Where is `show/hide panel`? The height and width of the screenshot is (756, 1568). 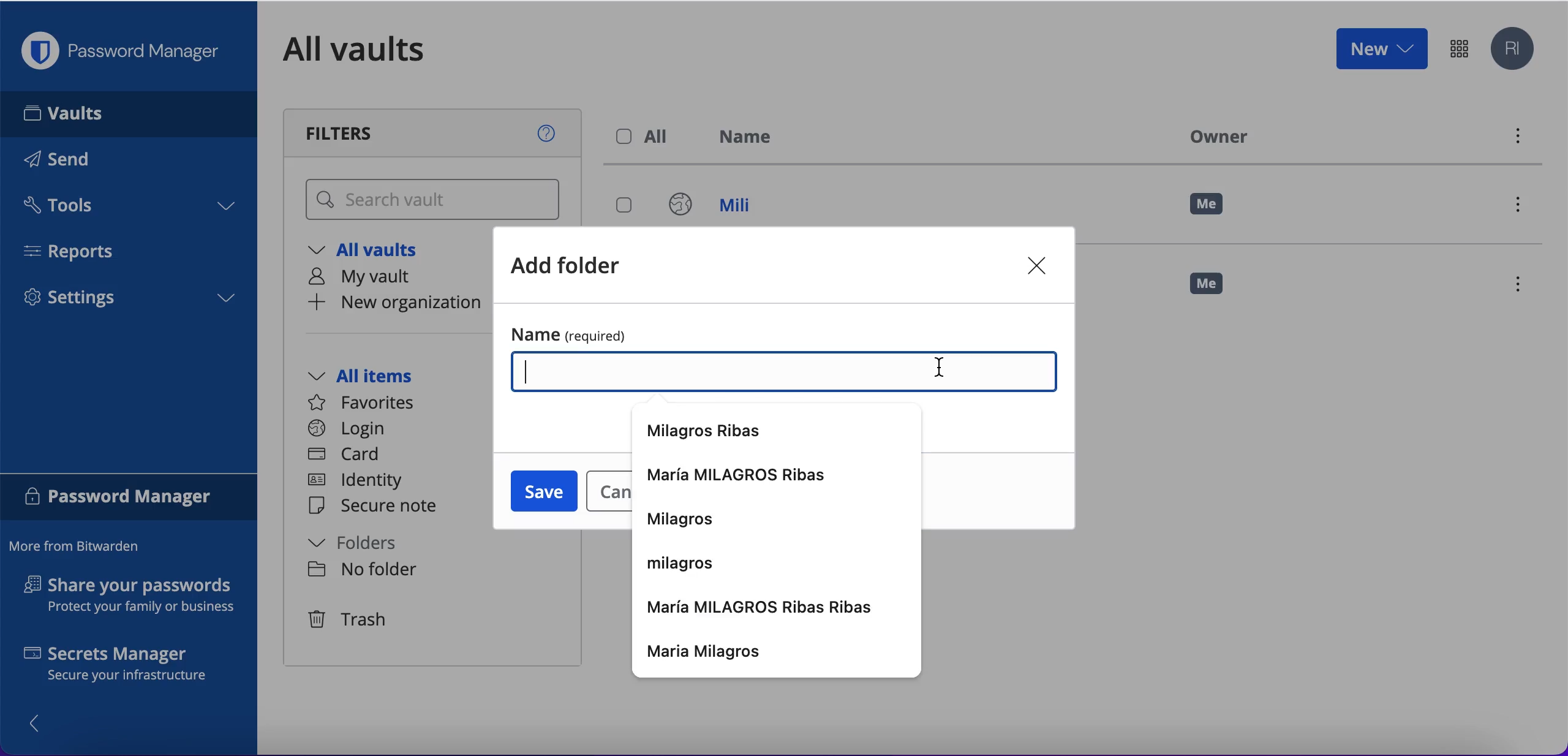
show/hide panel is located at coordinates (41, 722).